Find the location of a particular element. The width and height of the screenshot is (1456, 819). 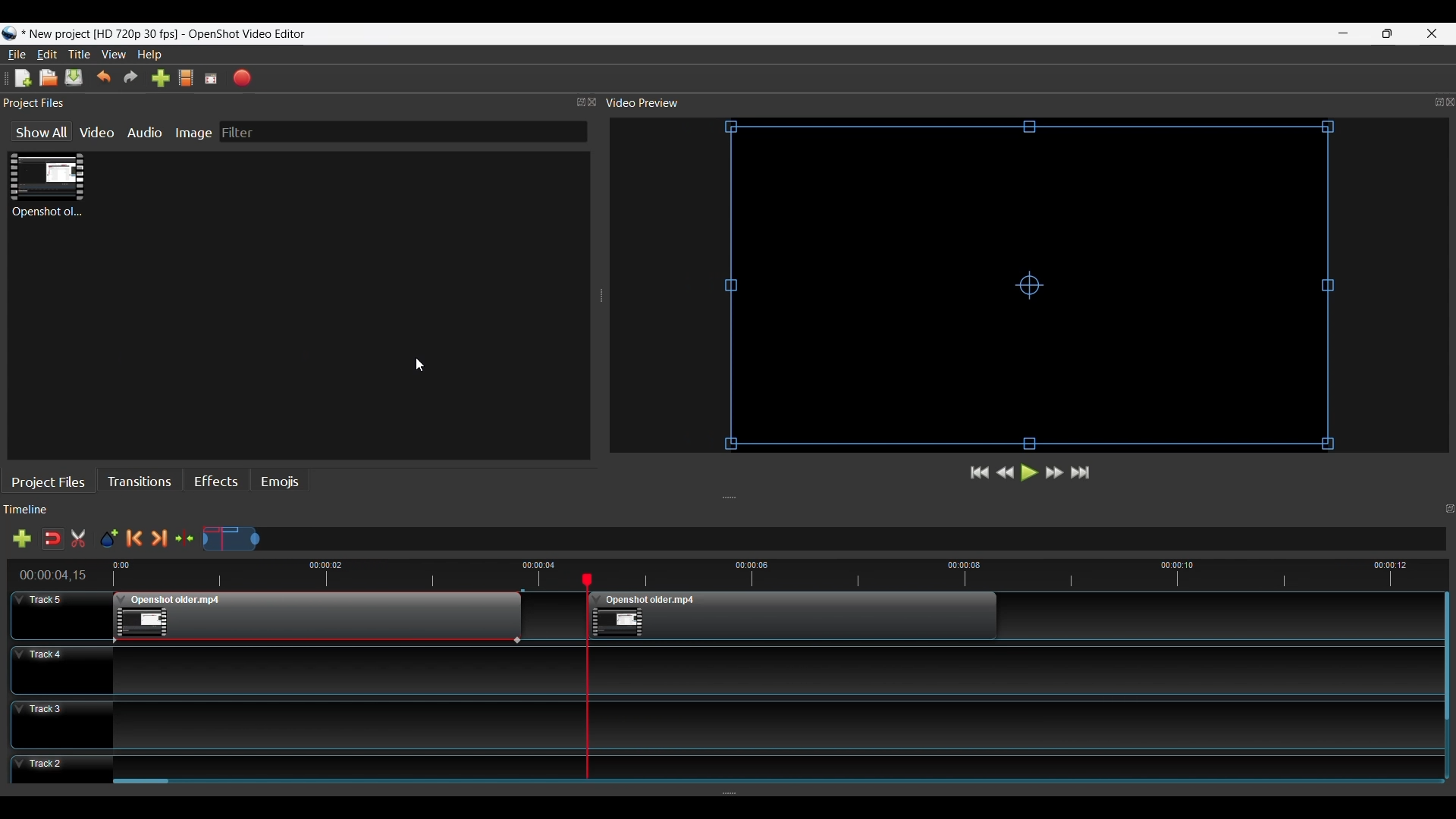

Clip at track Panel is located at coordinates (315, 617).